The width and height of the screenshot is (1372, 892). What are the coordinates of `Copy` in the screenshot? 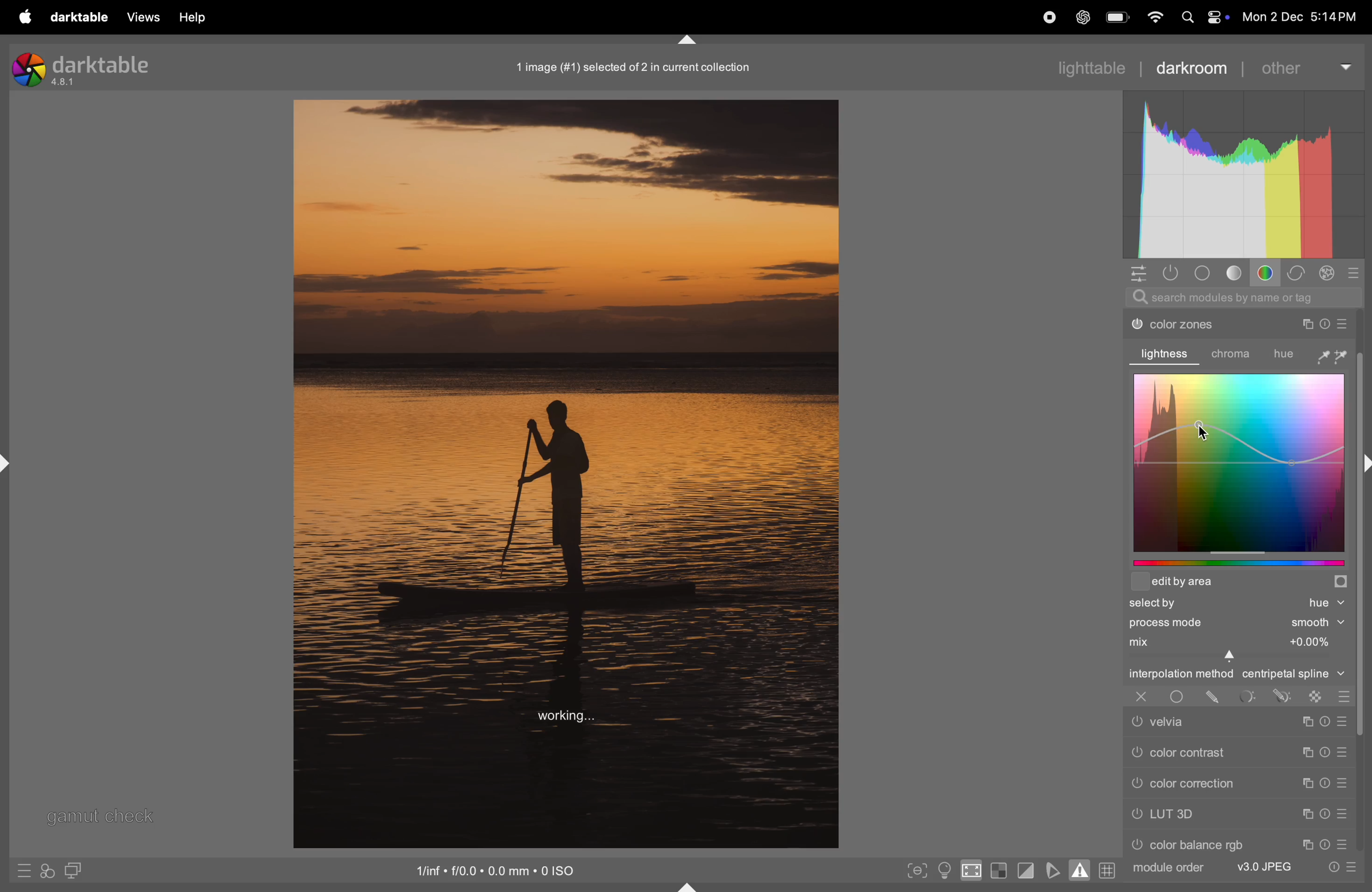 It's located at (1306, 721).